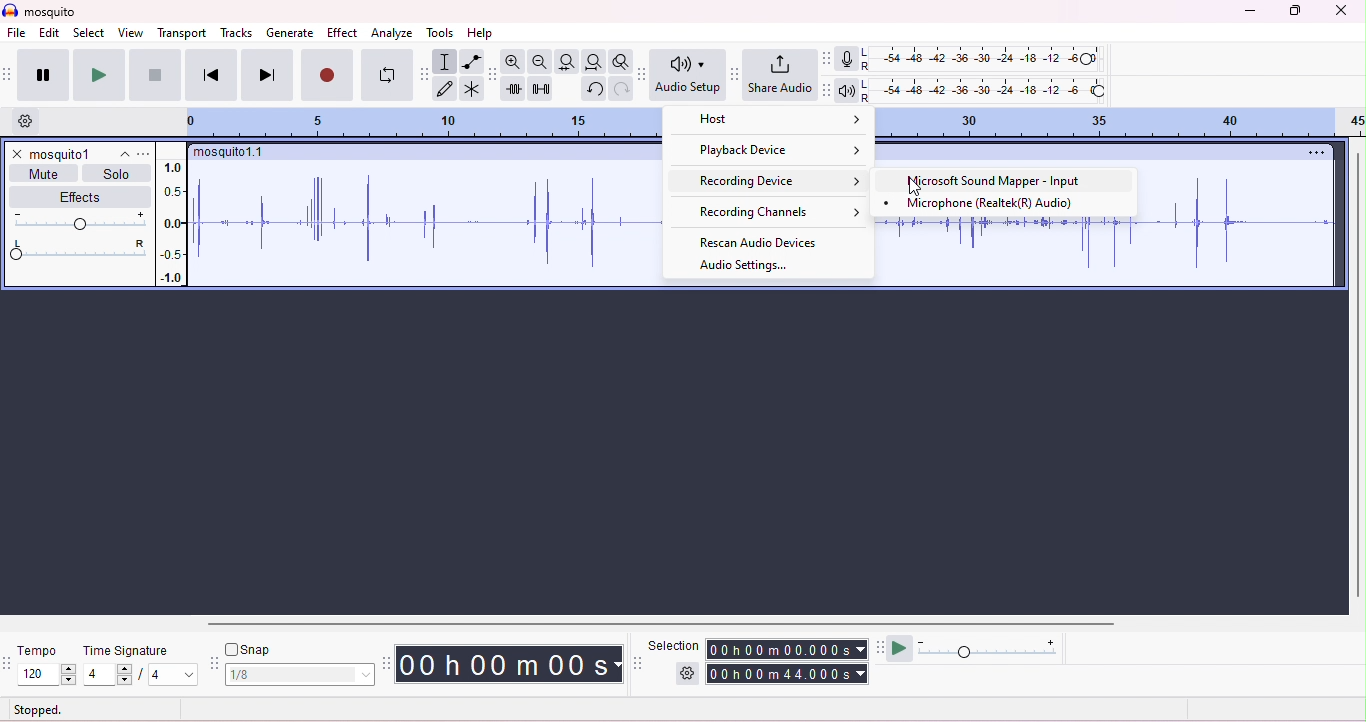 Image resolution: width=1366 pixels, height=722 pixels. What do you see at coordinates (267, 74) in the screenshot?
I see `next` at bounding box center [267, 74].